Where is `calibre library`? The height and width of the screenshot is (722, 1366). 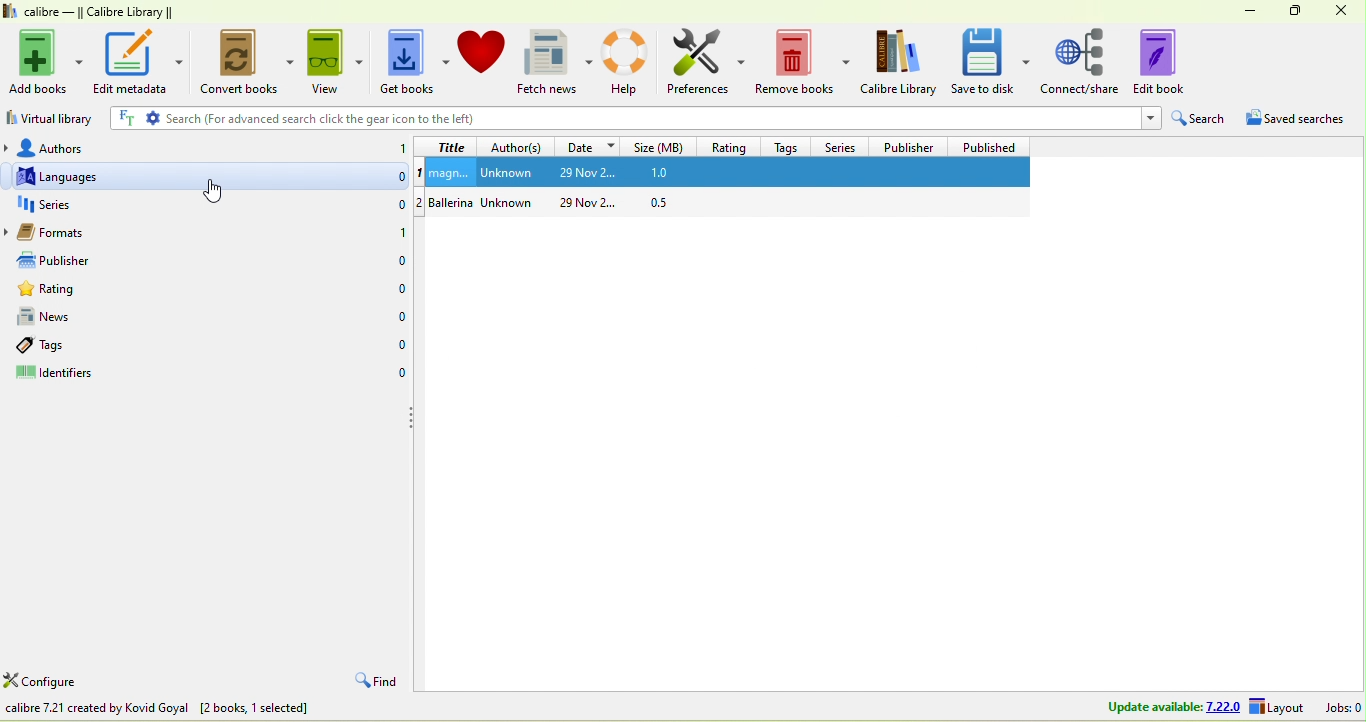
calibre library is located at coordinates (901, 63).